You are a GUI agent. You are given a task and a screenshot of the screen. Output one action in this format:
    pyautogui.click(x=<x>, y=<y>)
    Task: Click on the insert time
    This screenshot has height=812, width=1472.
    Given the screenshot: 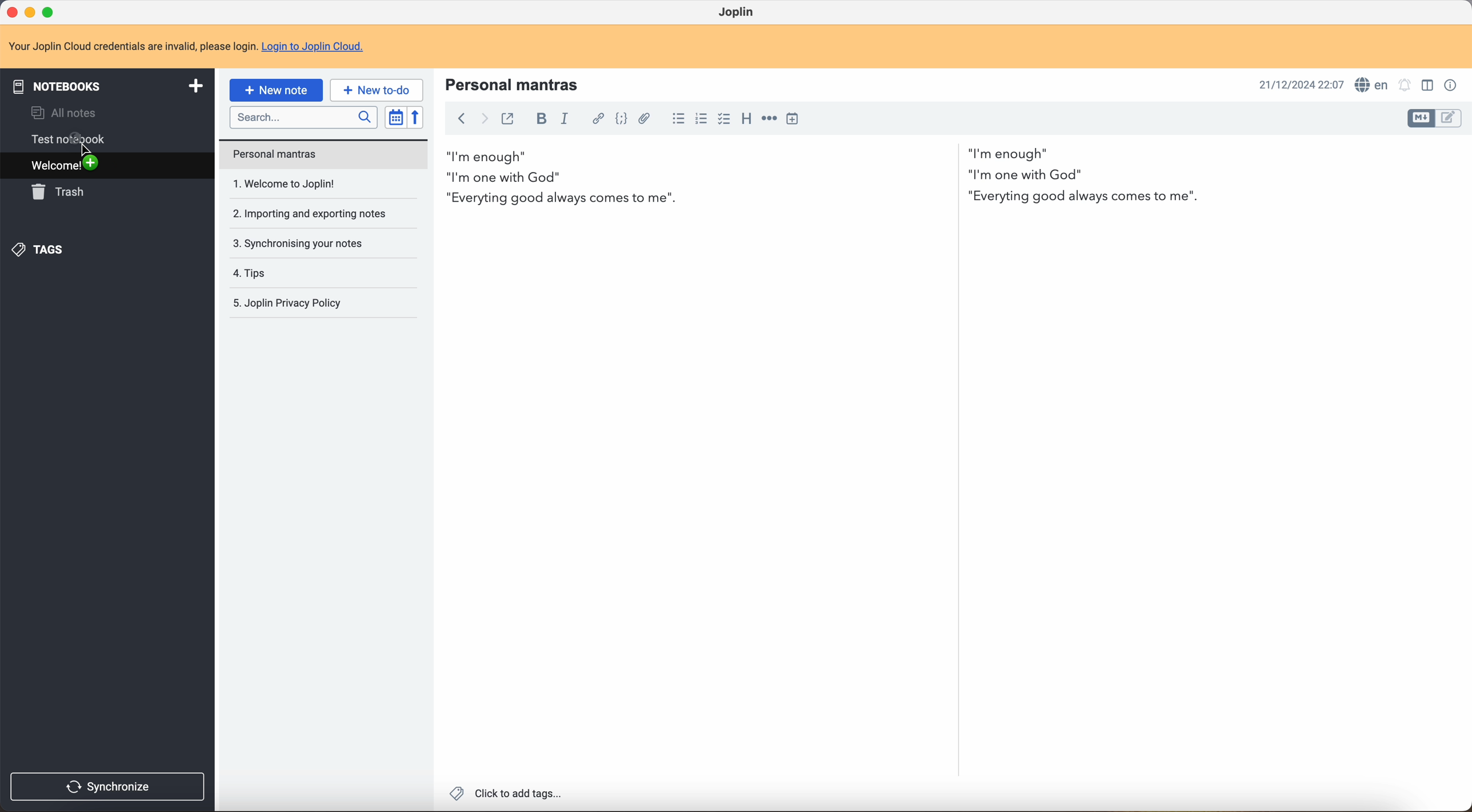 What is the action you would take?
    pyautogui.click(x=795, y=119)
    